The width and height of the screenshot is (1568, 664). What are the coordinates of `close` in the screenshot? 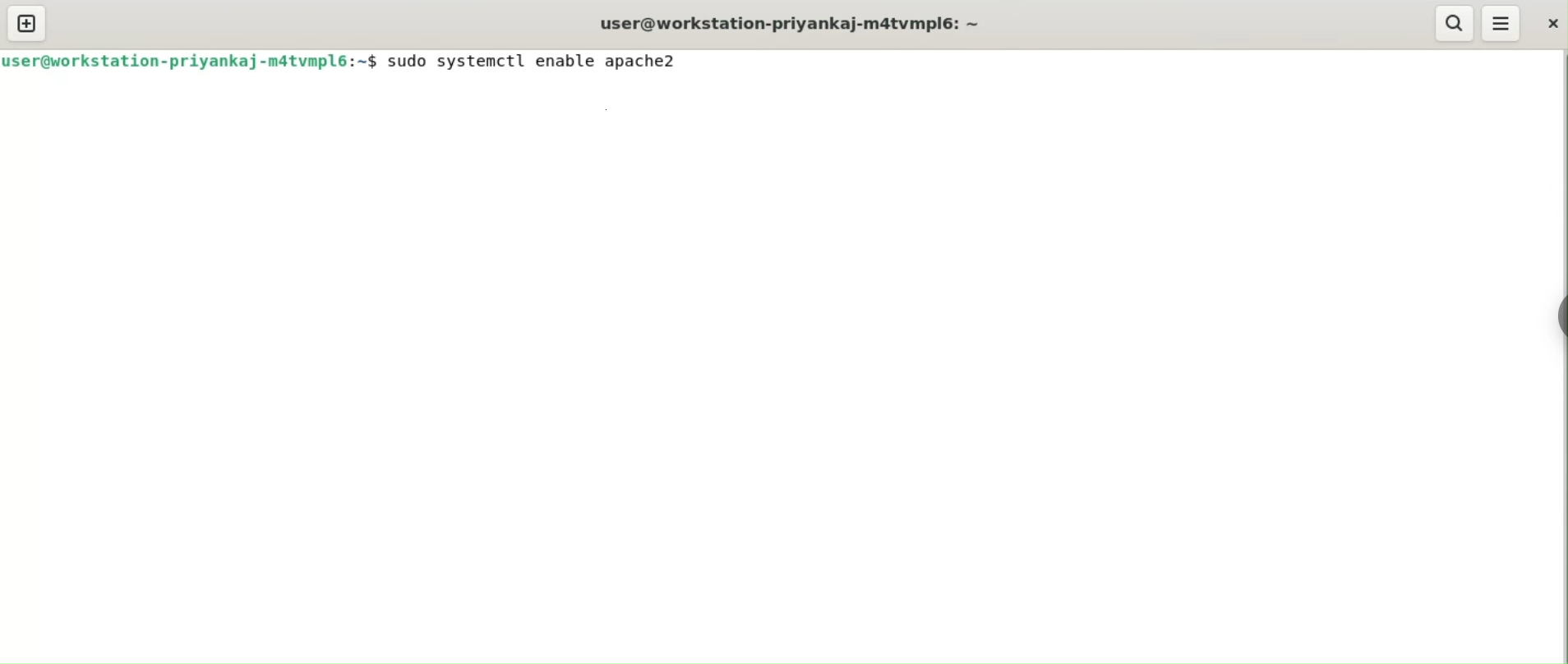 It's located at (1550, 22).